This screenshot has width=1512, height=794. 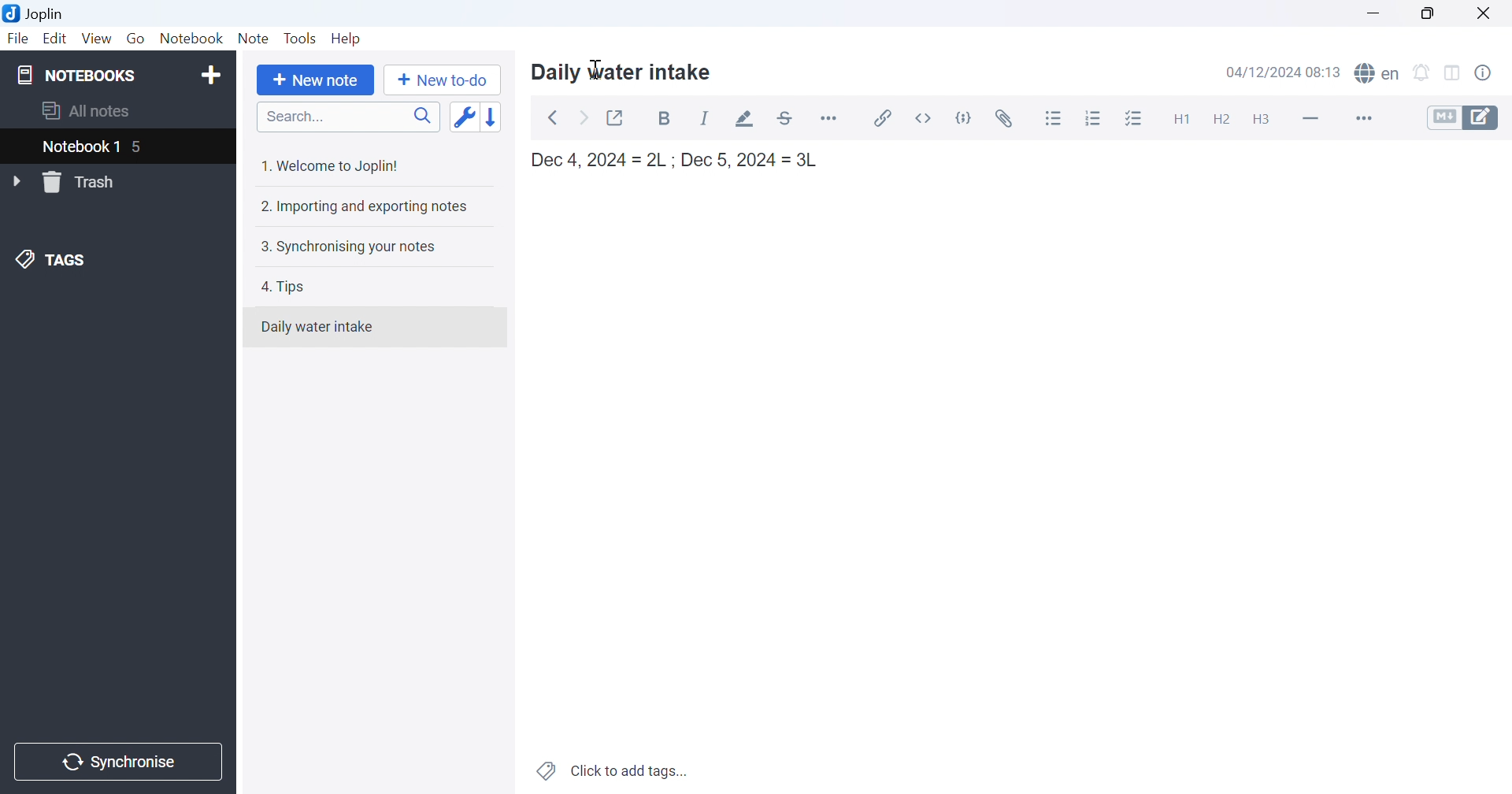 I want to click on Heading 3, so click(x=1269, y=121).